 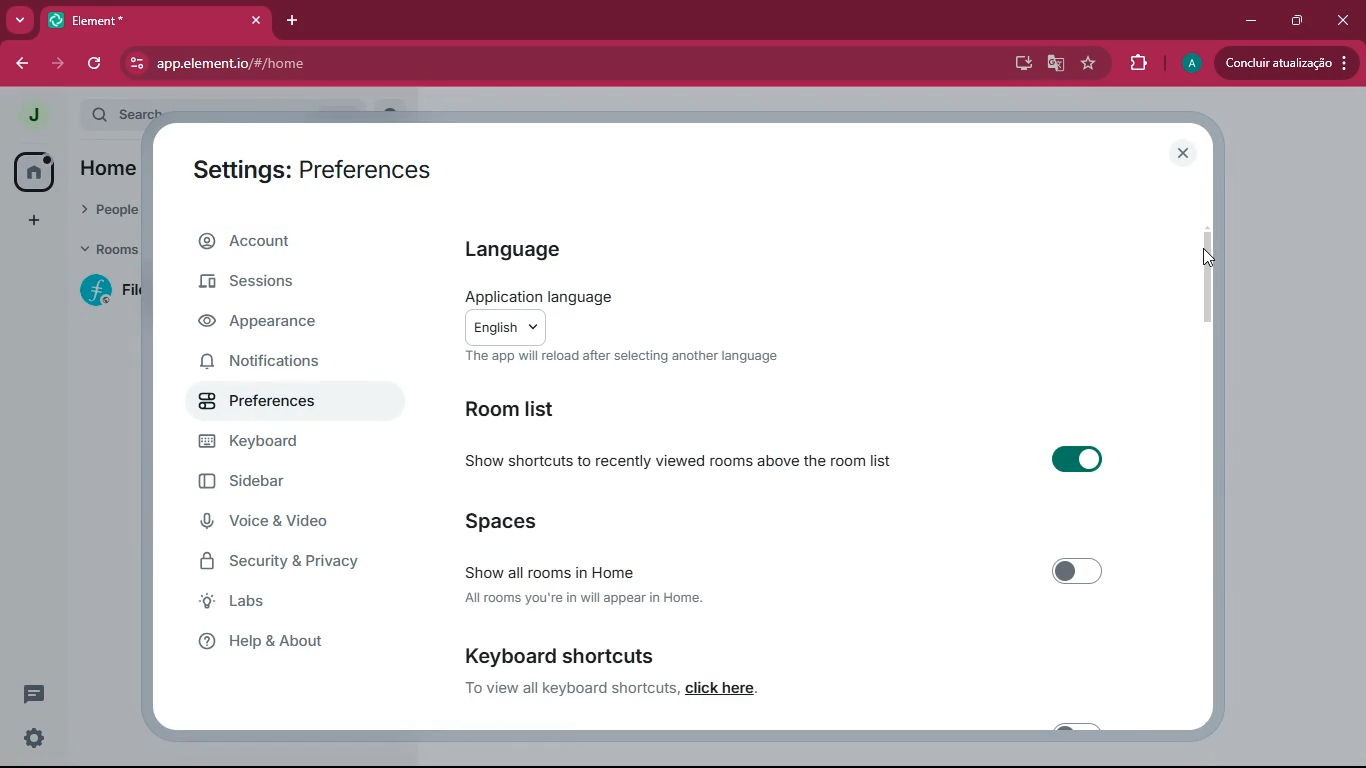 I want to click on sessions, so click(x=300, y=287).